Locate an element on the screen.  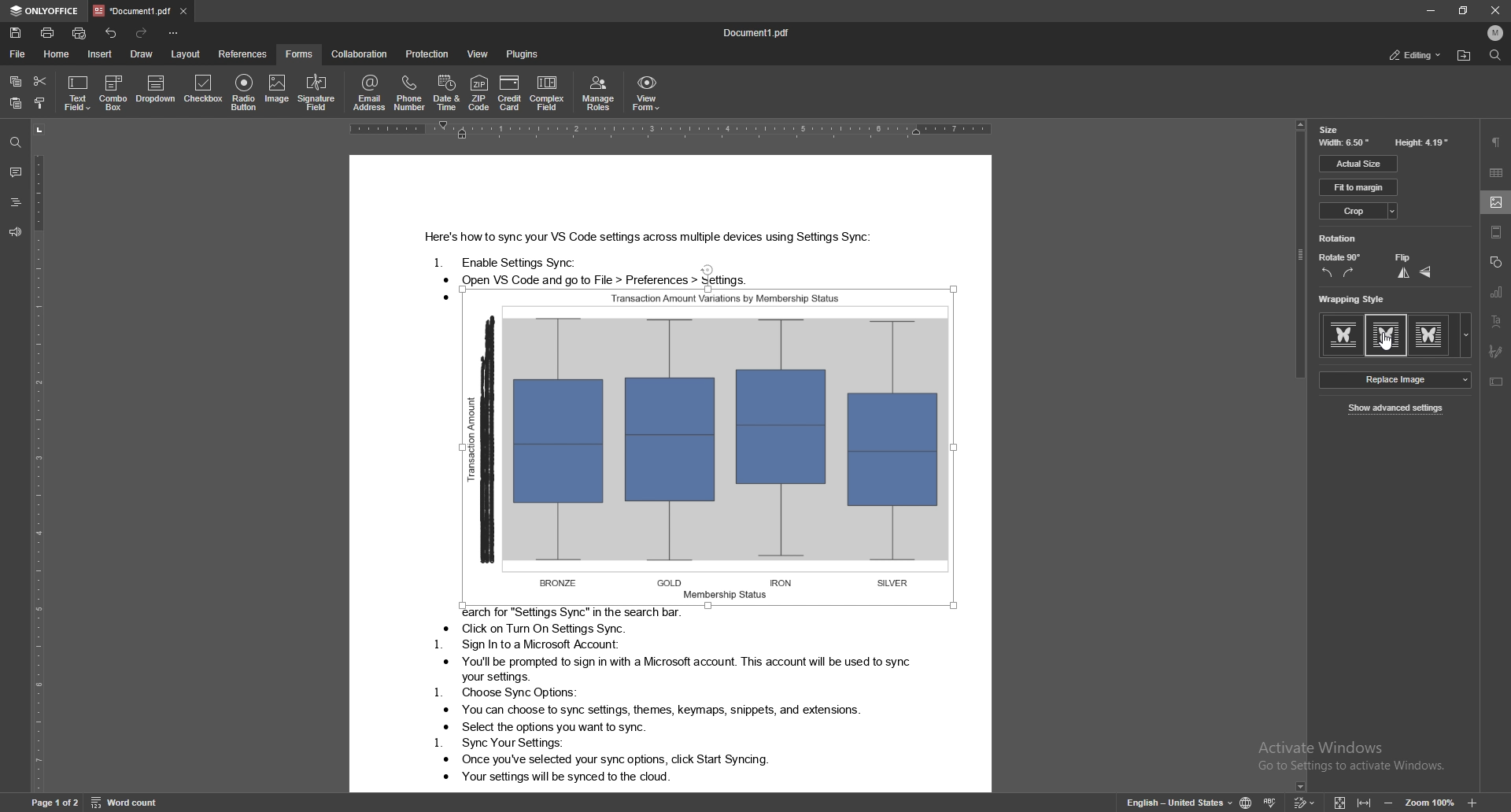
date and time is located at coordinates (446, 93).